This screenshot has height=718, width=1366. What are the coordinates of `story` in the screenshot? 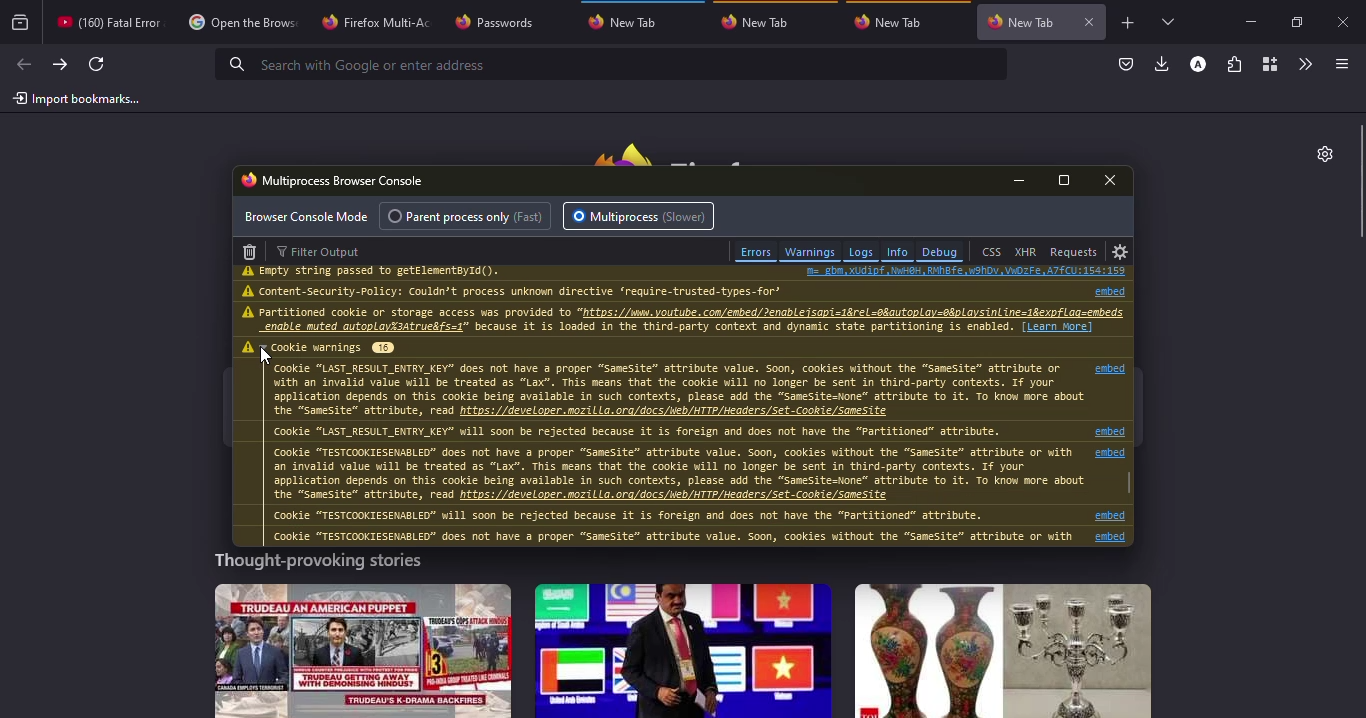 It's located at (1003, 651).